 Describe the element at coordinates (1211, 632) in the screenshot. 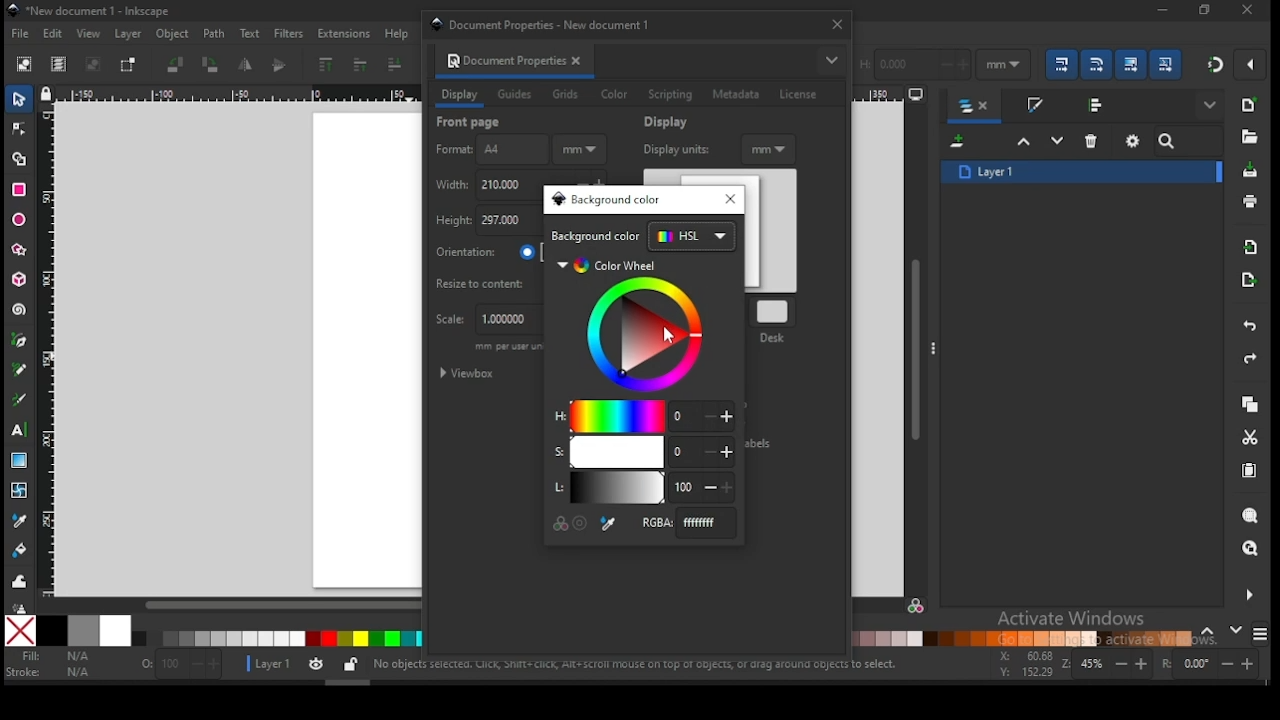

I see `previous` at that location.